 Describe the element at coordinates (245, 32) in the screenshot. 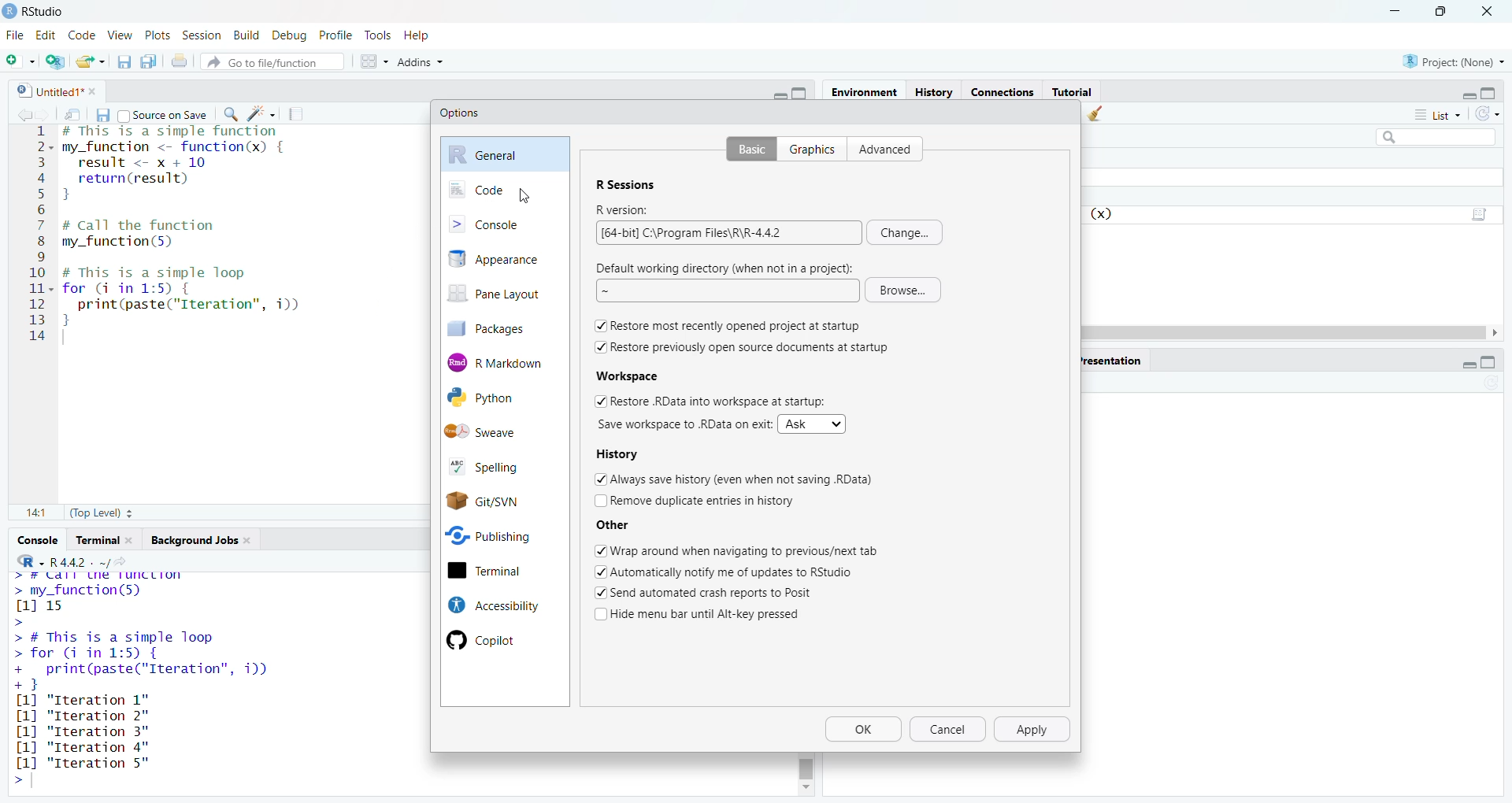

I see `build` at that location.